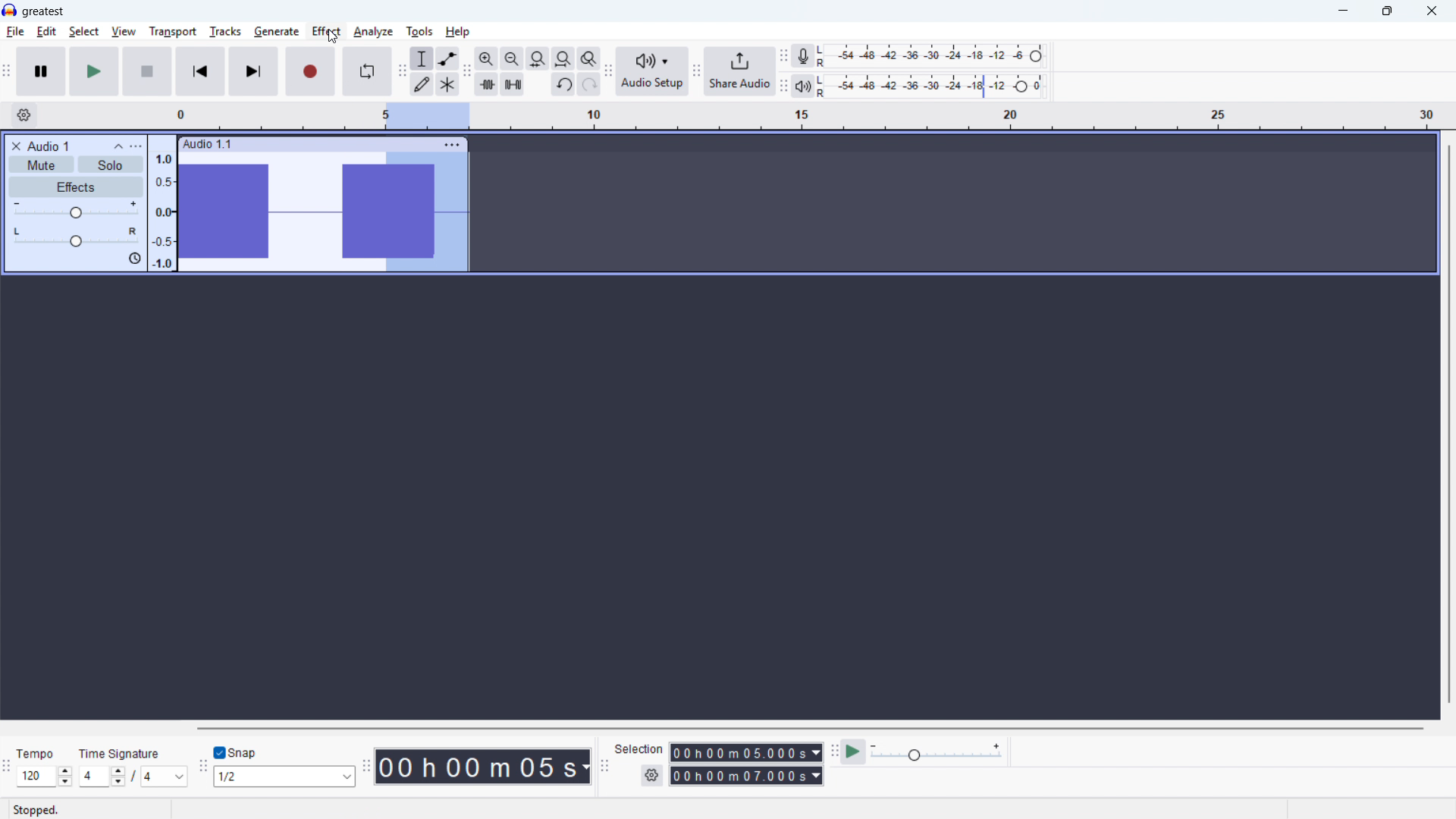 The height and width of the screenshot is (819, 1456). Describe the element at coordinates (147, 71) in the screenshot. I see `stop ` at that location.